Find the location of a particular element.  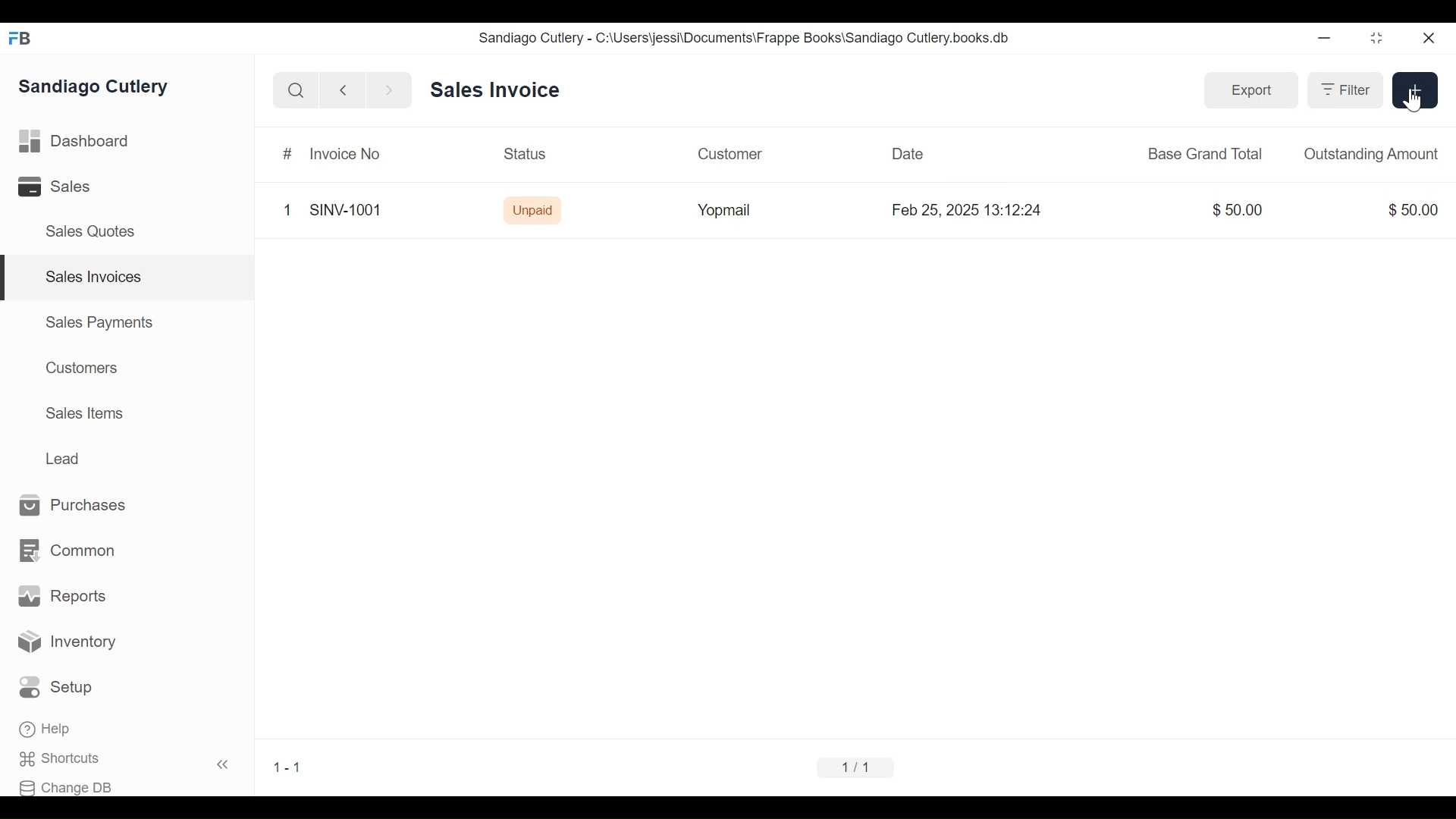

Feb 25, 2025 13:12:24 is located at coordinates (971, 209).